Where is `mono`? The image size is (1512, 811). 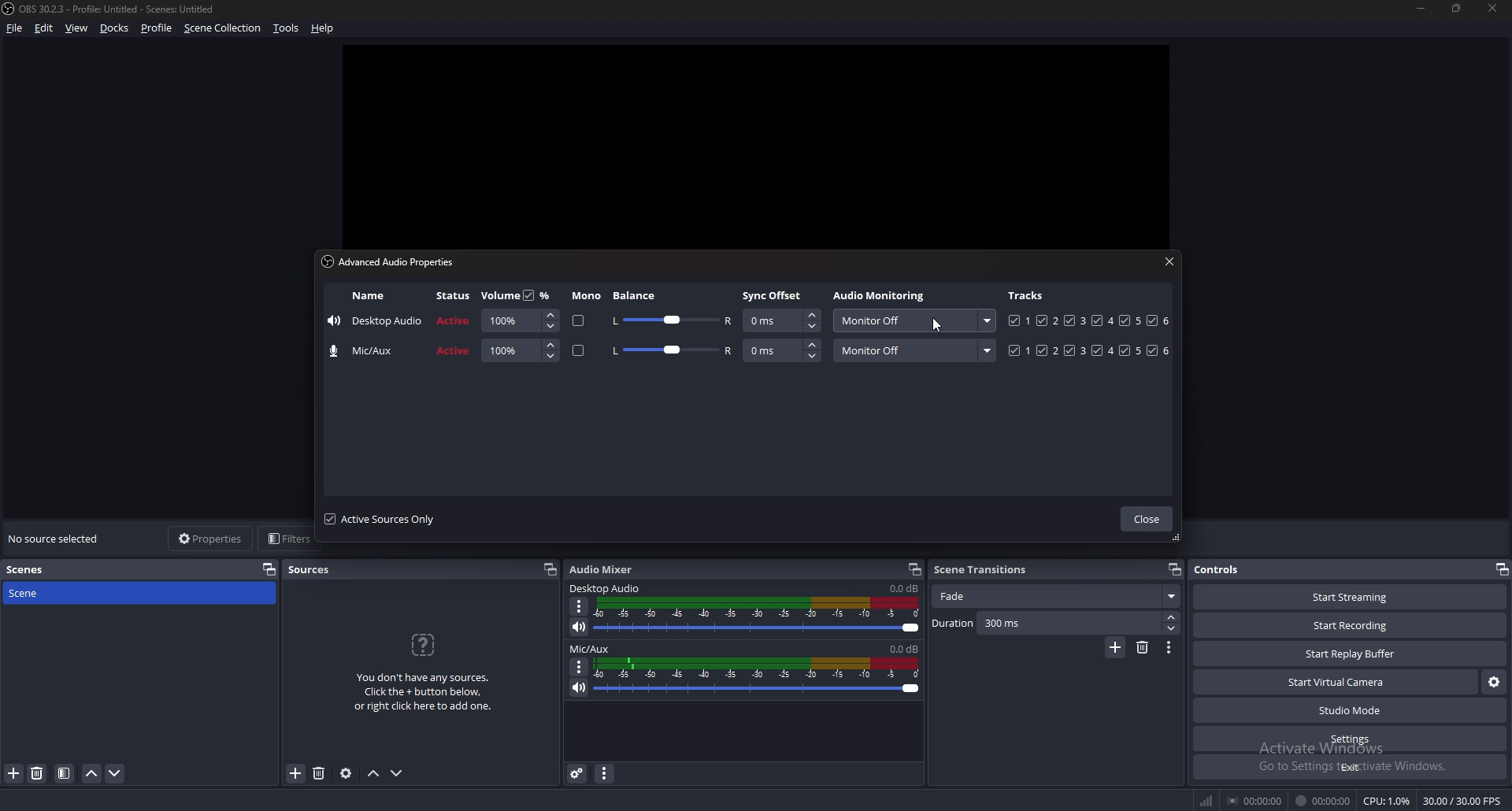 mono is located at coordinates (586, 296).